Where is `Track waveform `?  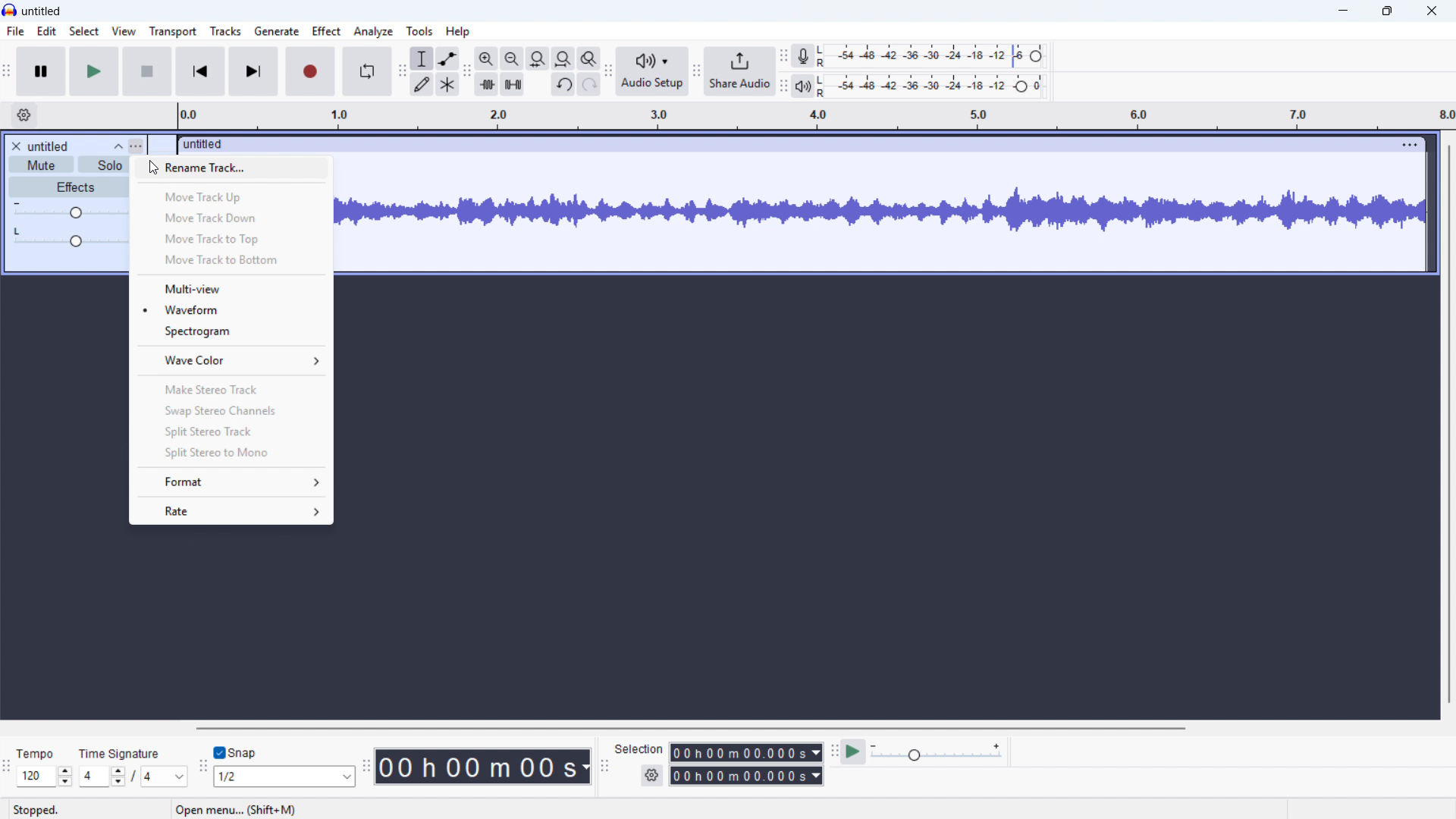 Track waveform  is located at coordinates (883, 206).